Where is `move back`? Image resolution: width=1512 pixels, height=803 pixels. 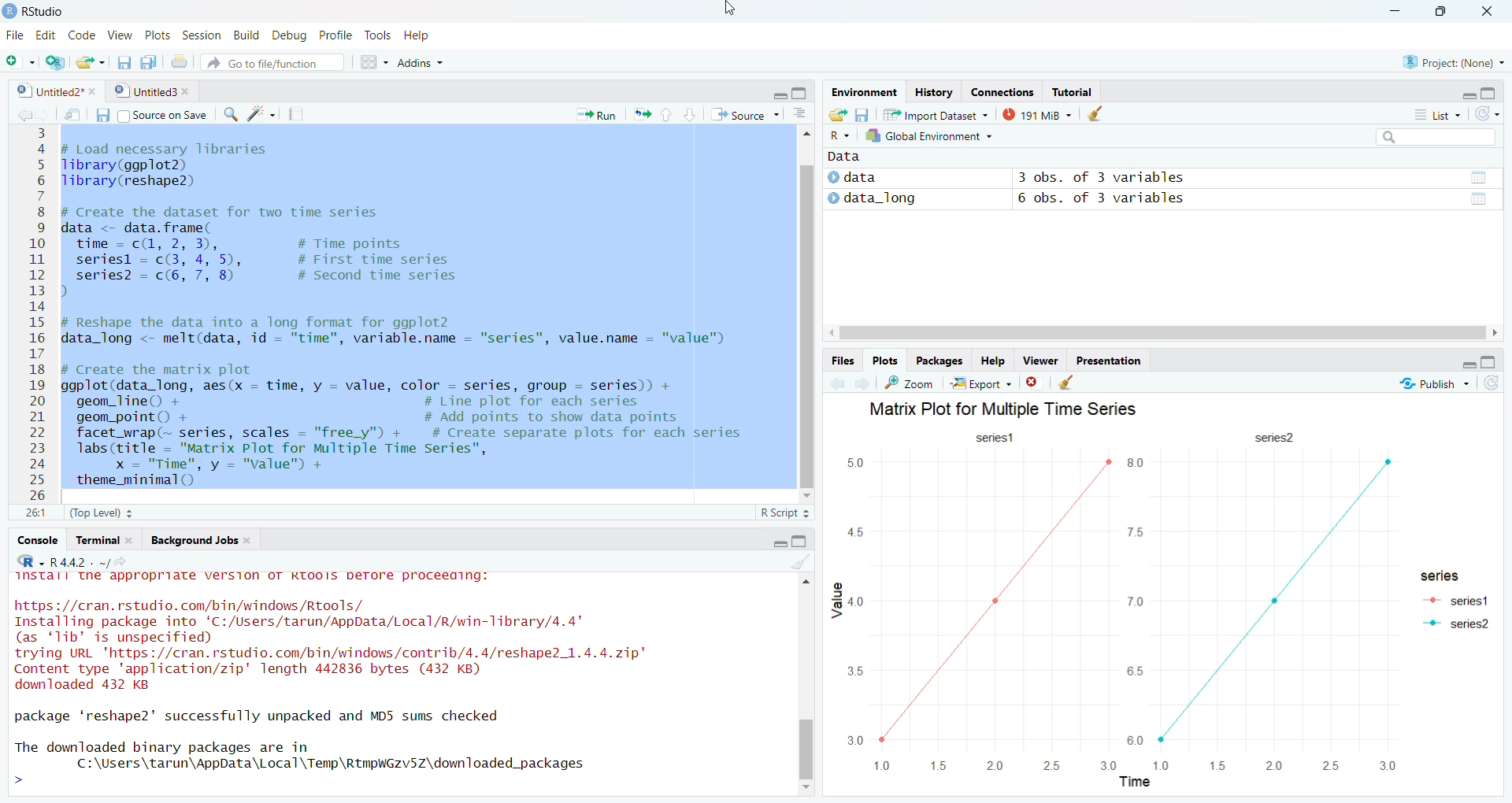
move back is located at coordinates (836, 382).